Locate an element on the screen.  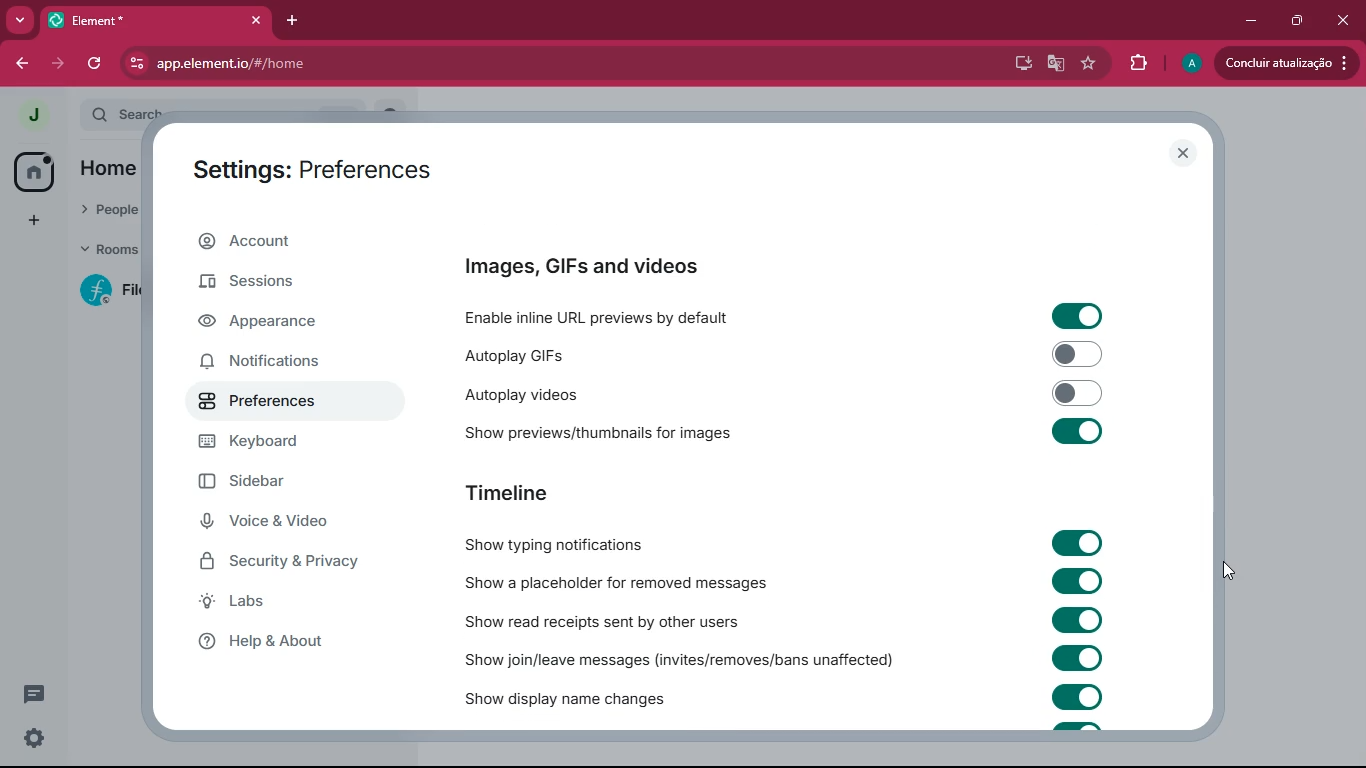
app.element.io/#/home is located at coordinates (351, 63).